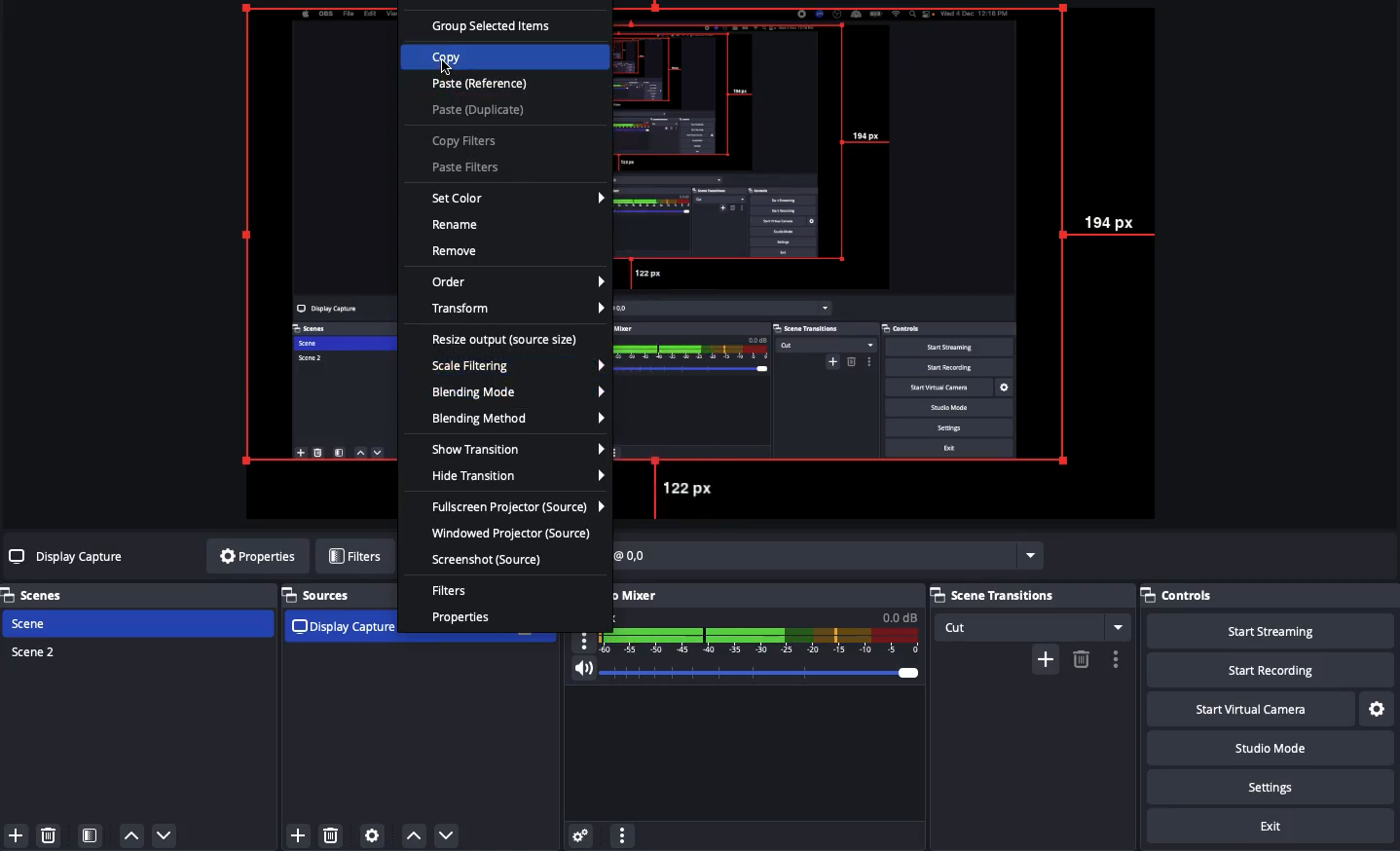 The height and width of the screenshot is (851, 1400). What do you see at coordinates (293, 833) in the screenshot?
I see `add` at bounding box center [293, 833].